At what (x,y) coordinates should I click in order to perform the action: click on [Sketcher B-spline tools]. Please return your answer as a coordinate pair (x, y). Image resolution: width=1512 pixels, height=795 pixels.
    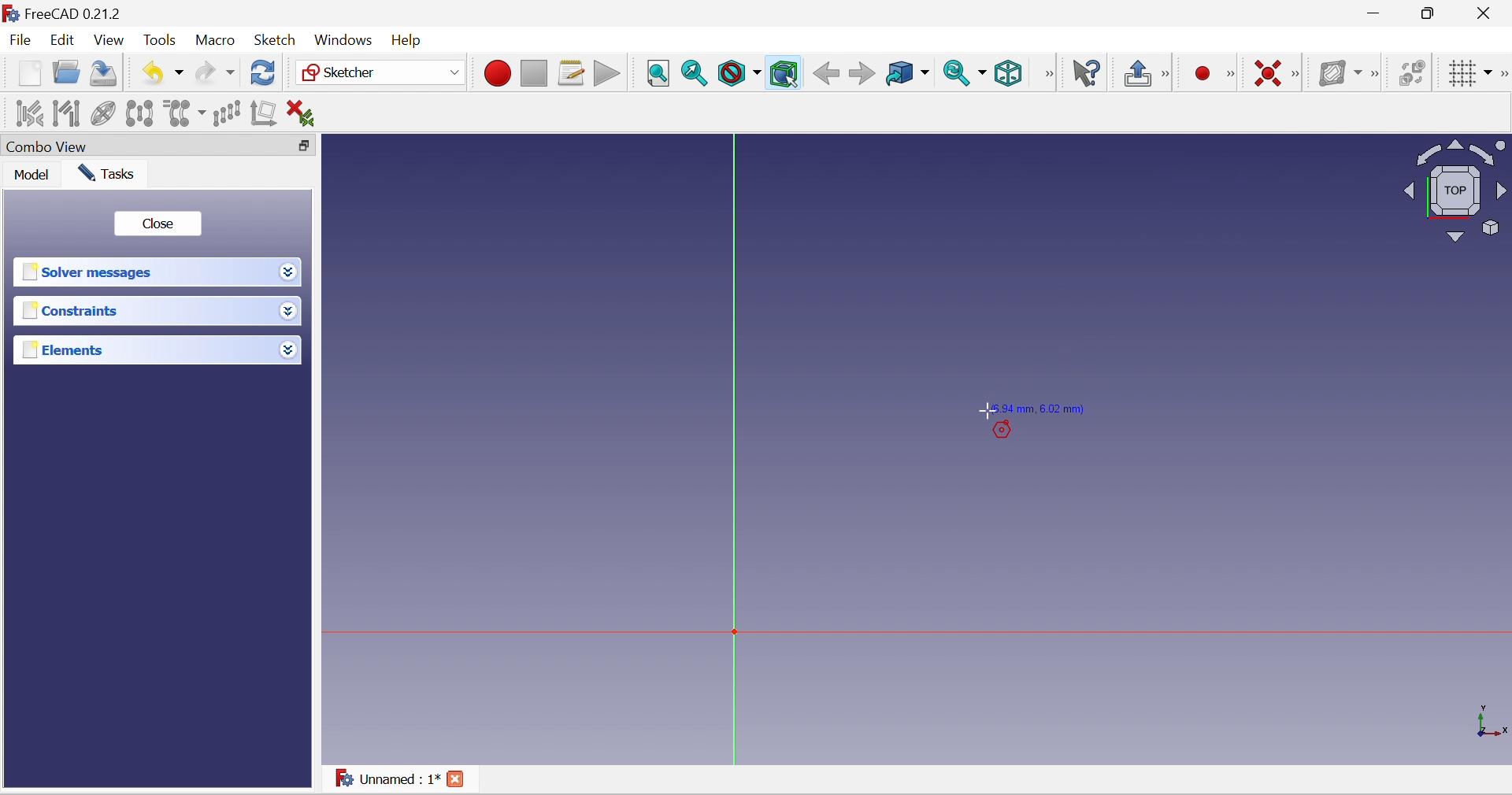
    Looking at the image, I should click on (1378, 74).